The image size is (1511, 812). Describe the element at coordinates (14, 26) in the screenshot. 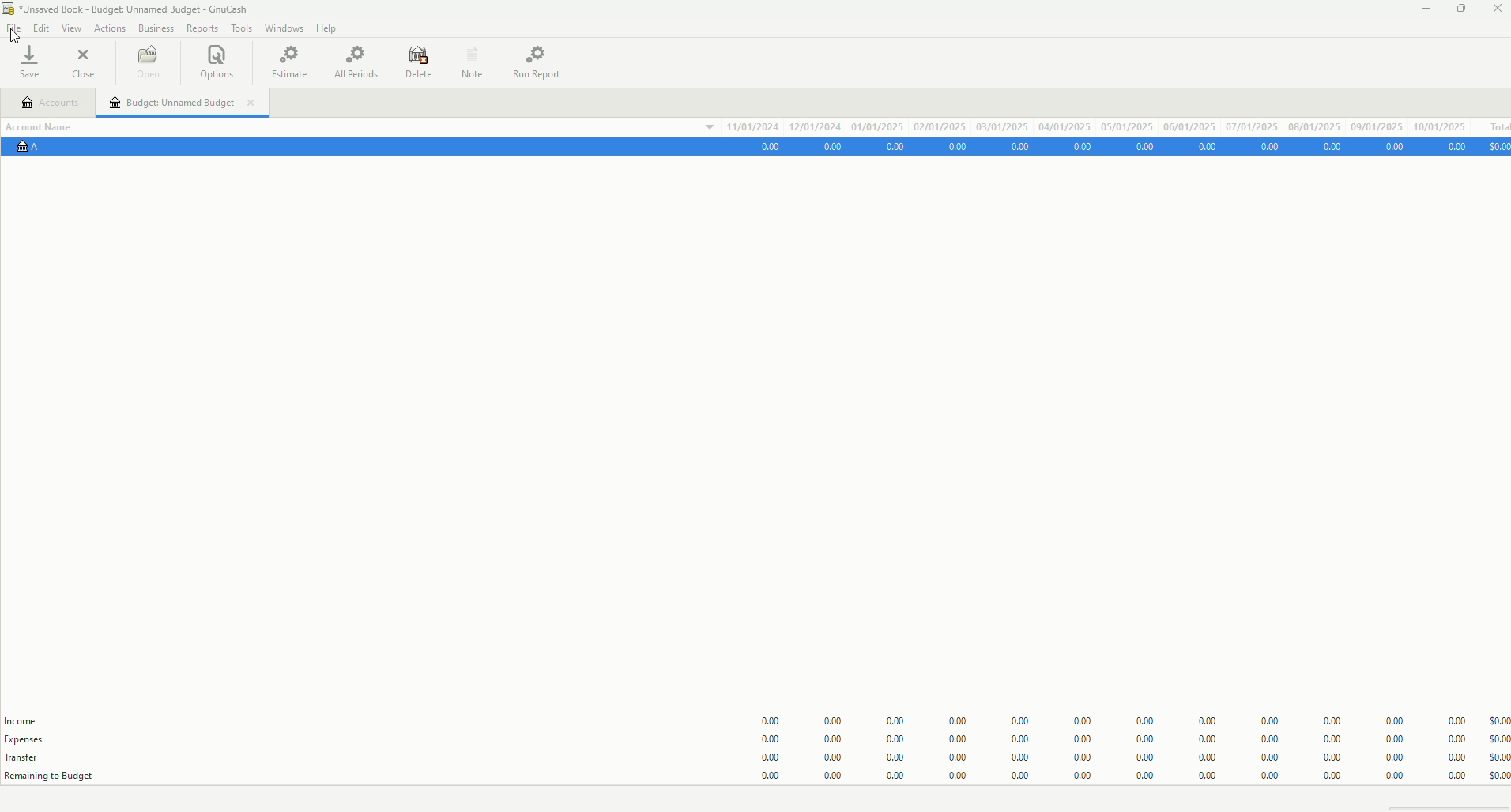

I see `File` at that location.